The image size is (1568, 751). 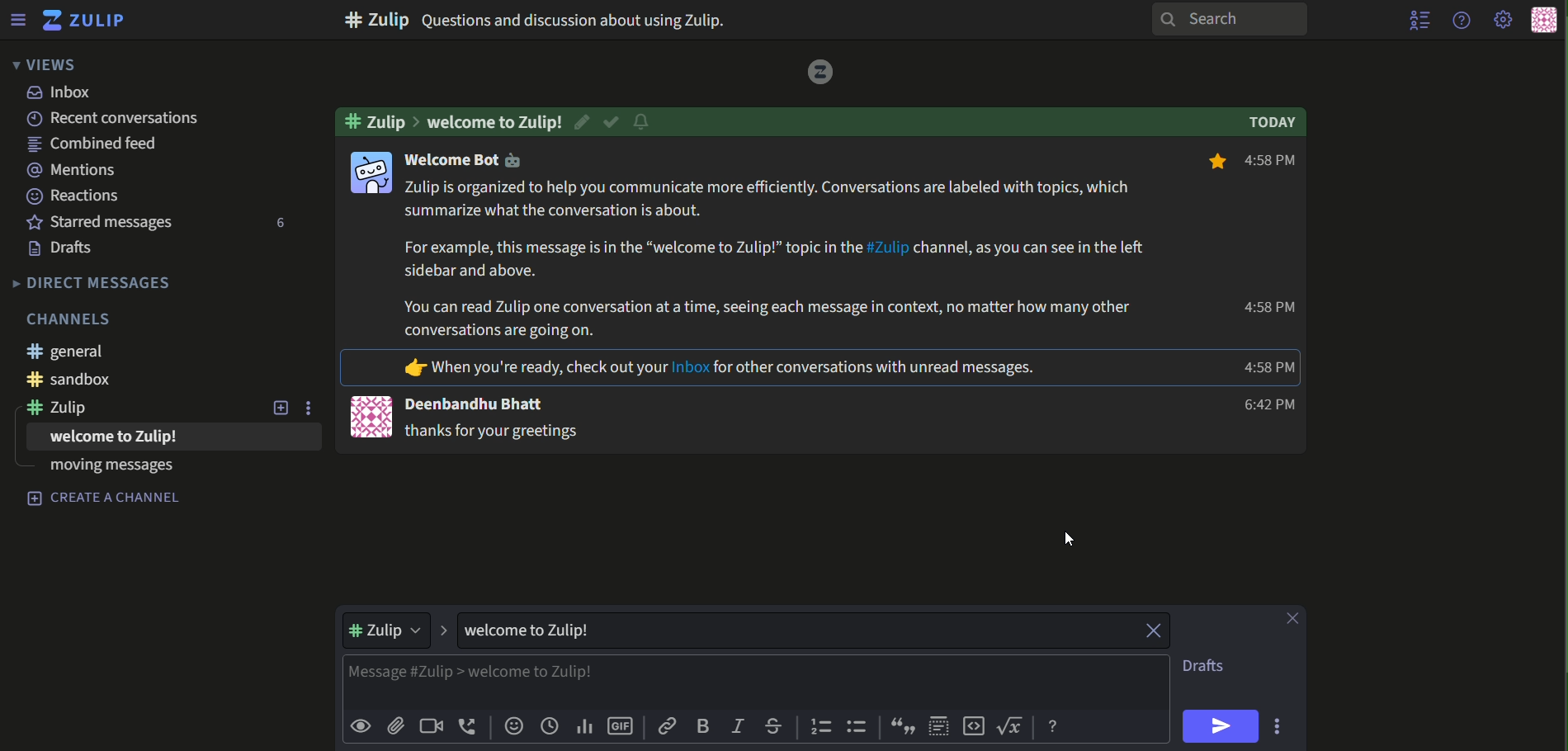 I want to click on main menu, so click(x=1504, y=21).